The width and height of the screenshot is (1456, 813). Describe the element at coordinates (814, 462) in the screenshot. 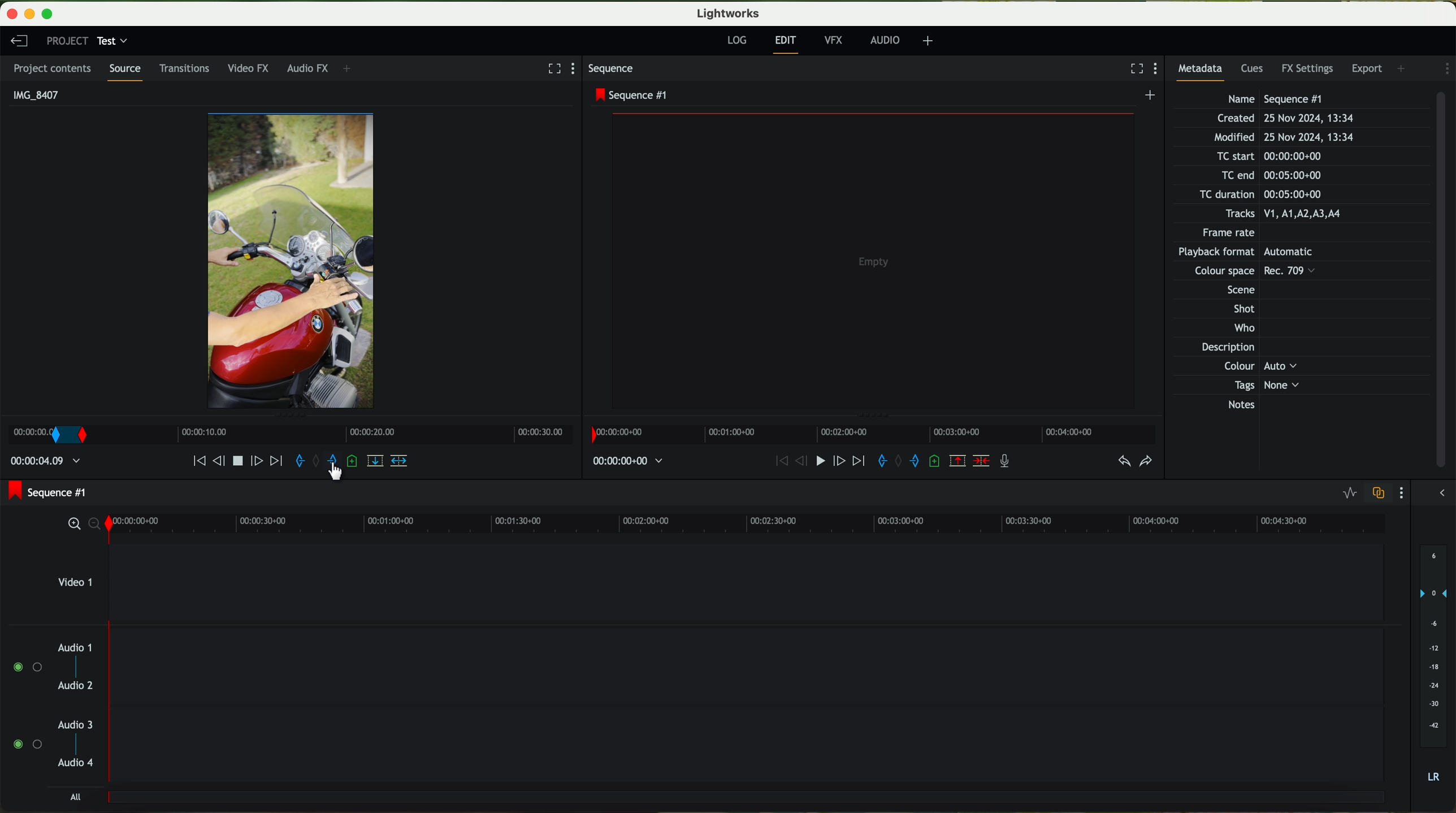

I see `play` at that location.